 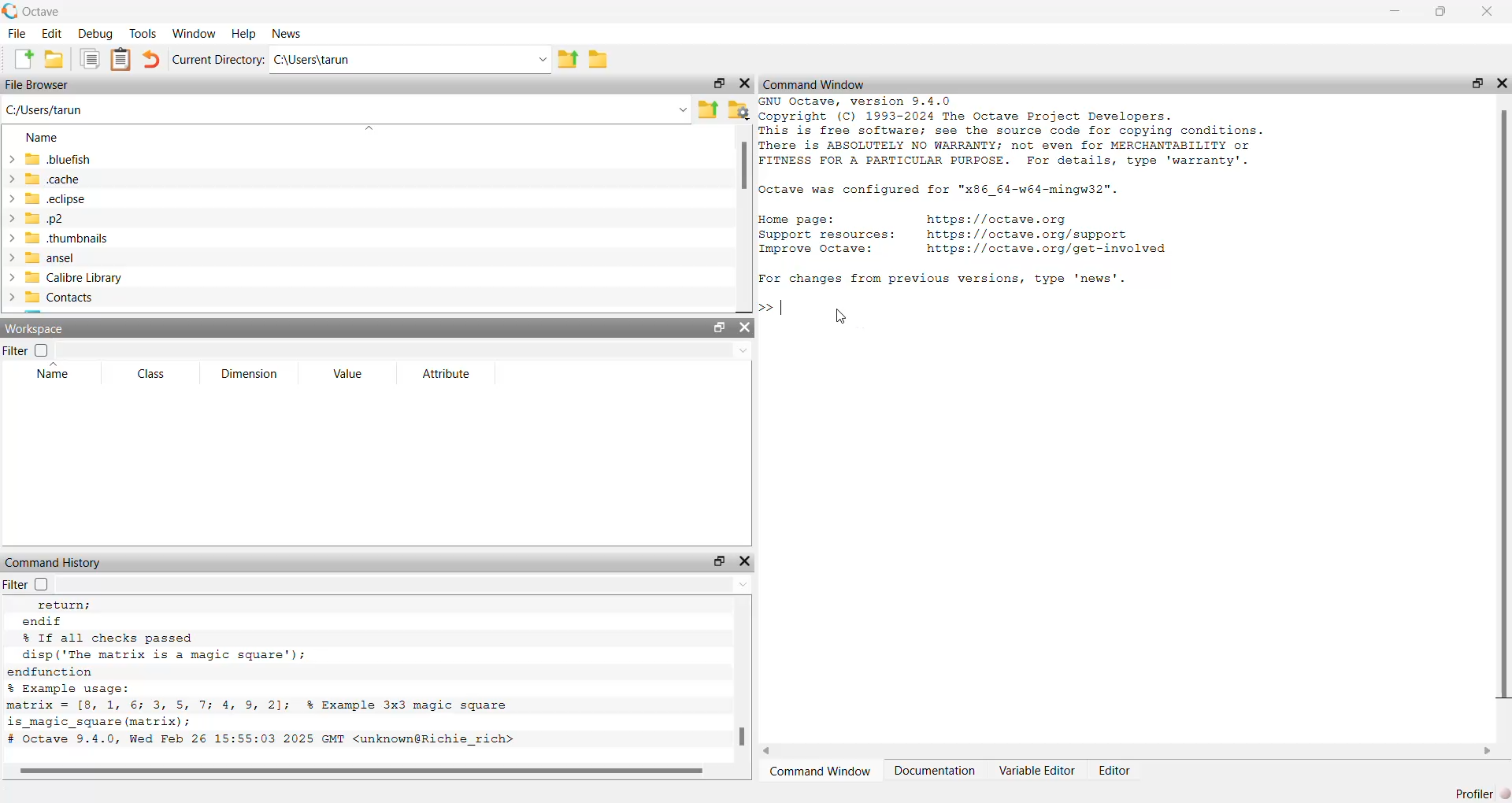 I want to click on Folder settings, so click(x=737, y=110).